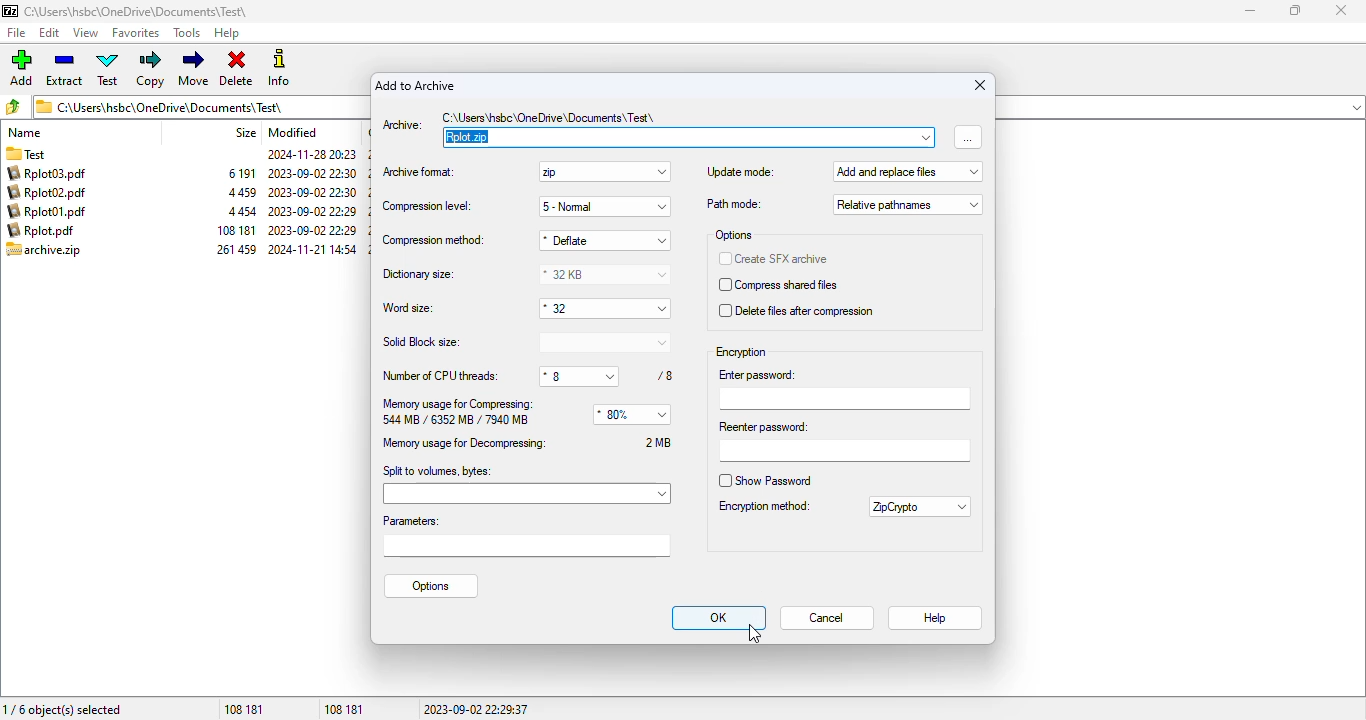 This screenshot has height=720, width=1366. Describe the element at coordinates (522, 275) in the screenshot. I see `dictionary size: *32 KB` at that location.